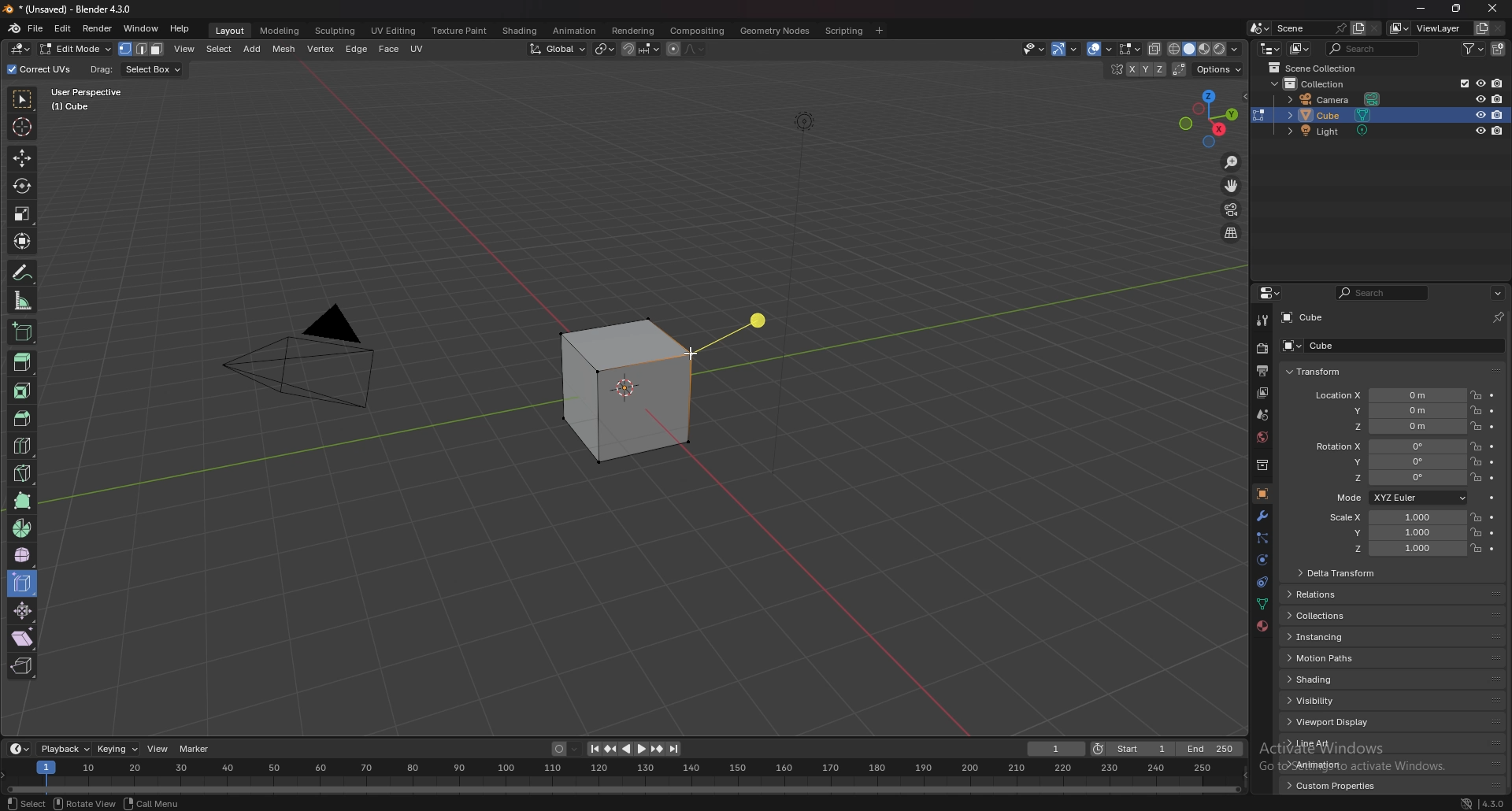 This screenshot has height=811, width=1512. What do you see at coordinates (23, 501) in the screenshot?
I see `poly build` at bounding box center [23, 501].